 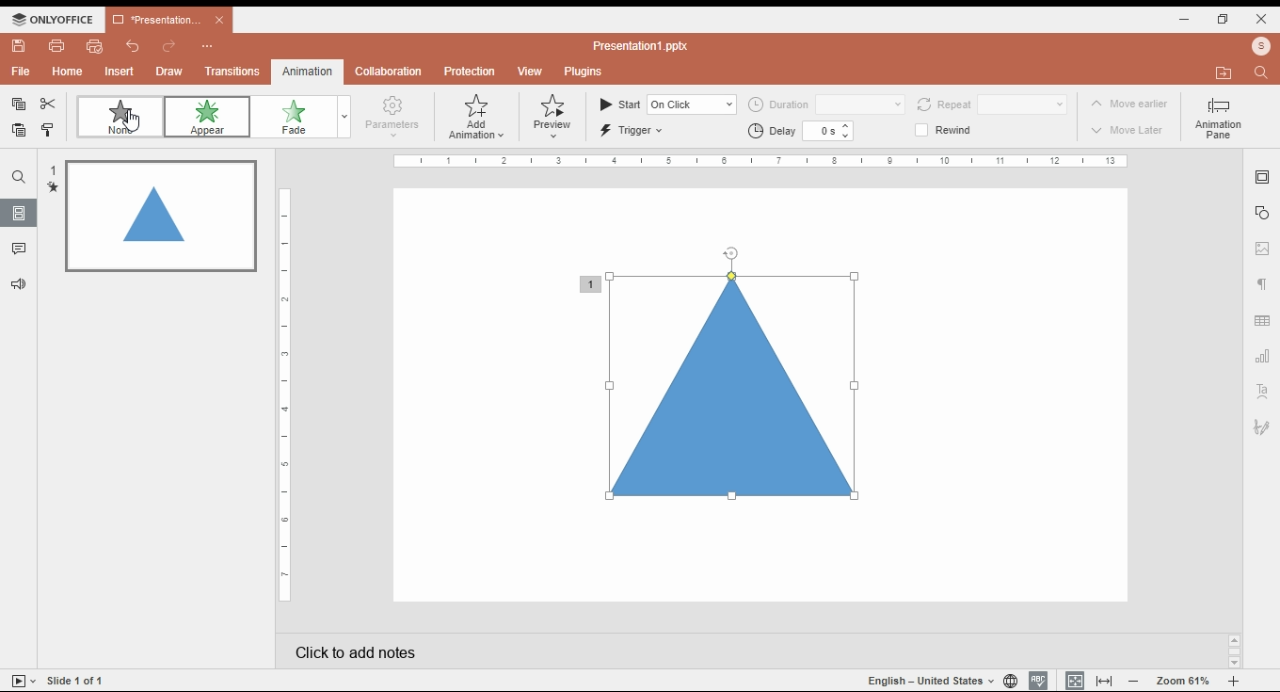 I want to click on fit to width, so click(x=1104, y=682).